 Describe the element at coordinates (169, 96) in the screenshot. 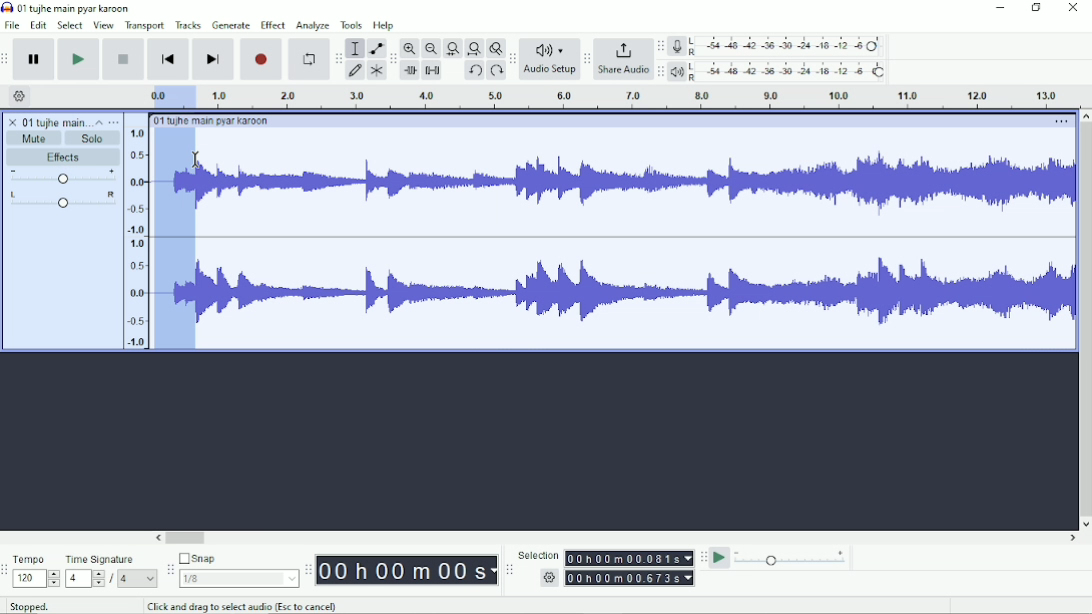

I see `Already Played` at that location.